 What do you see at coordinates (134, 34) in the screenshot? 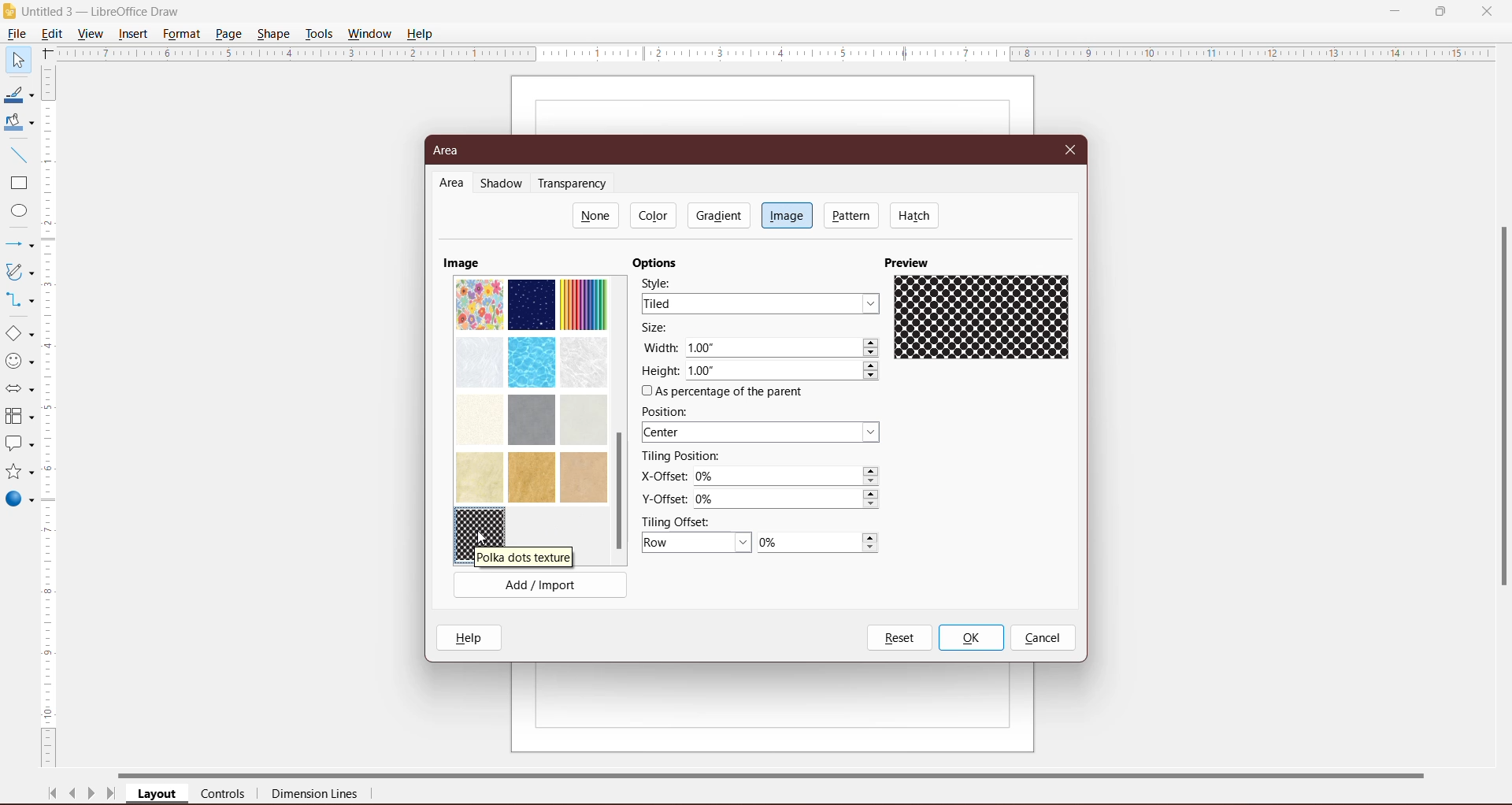
I see `Insert` at bounding box center [134, 34].